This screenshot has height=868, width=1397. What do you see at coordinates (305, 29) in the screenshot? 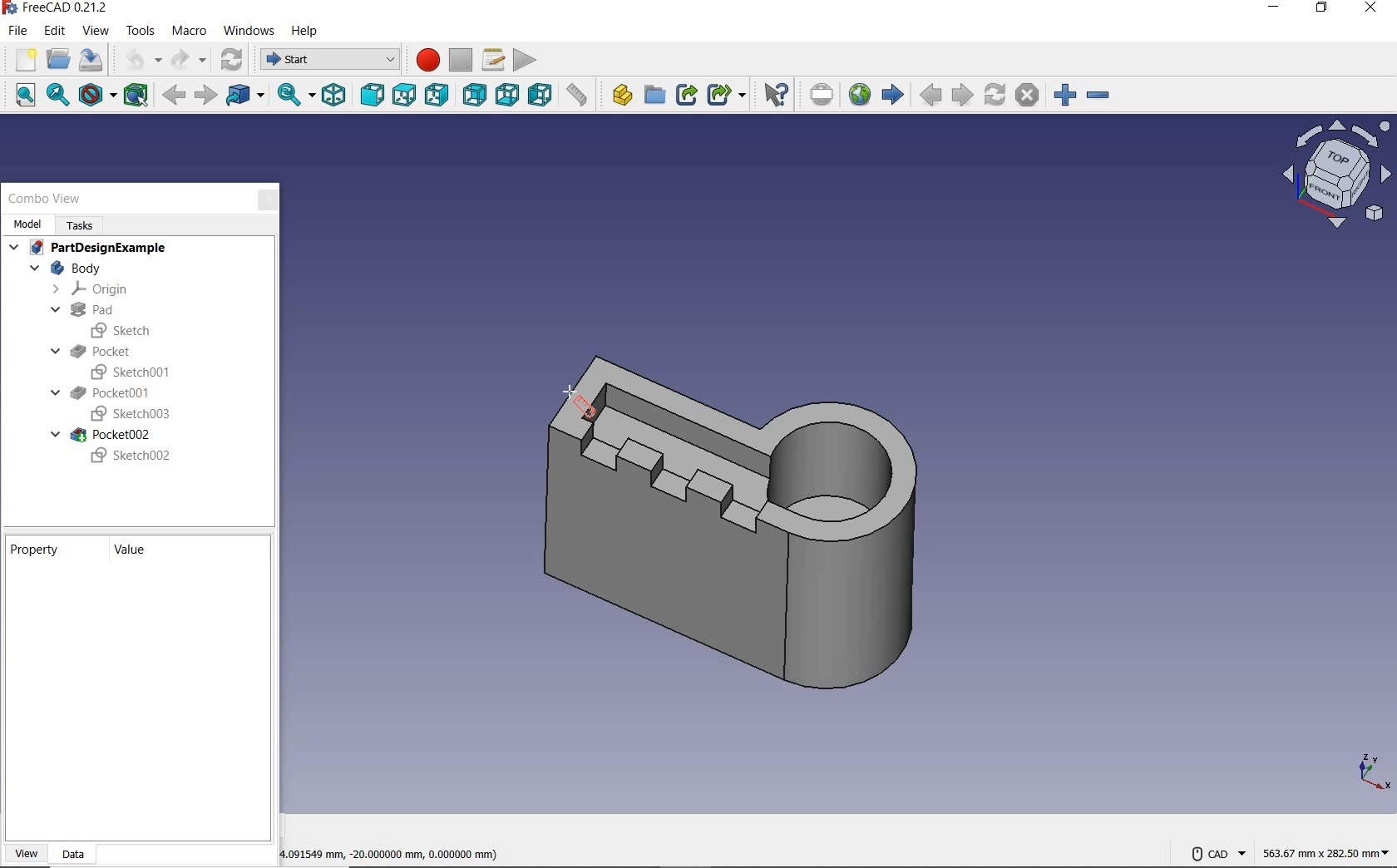
I see `help` at bounding box center [305, 29].